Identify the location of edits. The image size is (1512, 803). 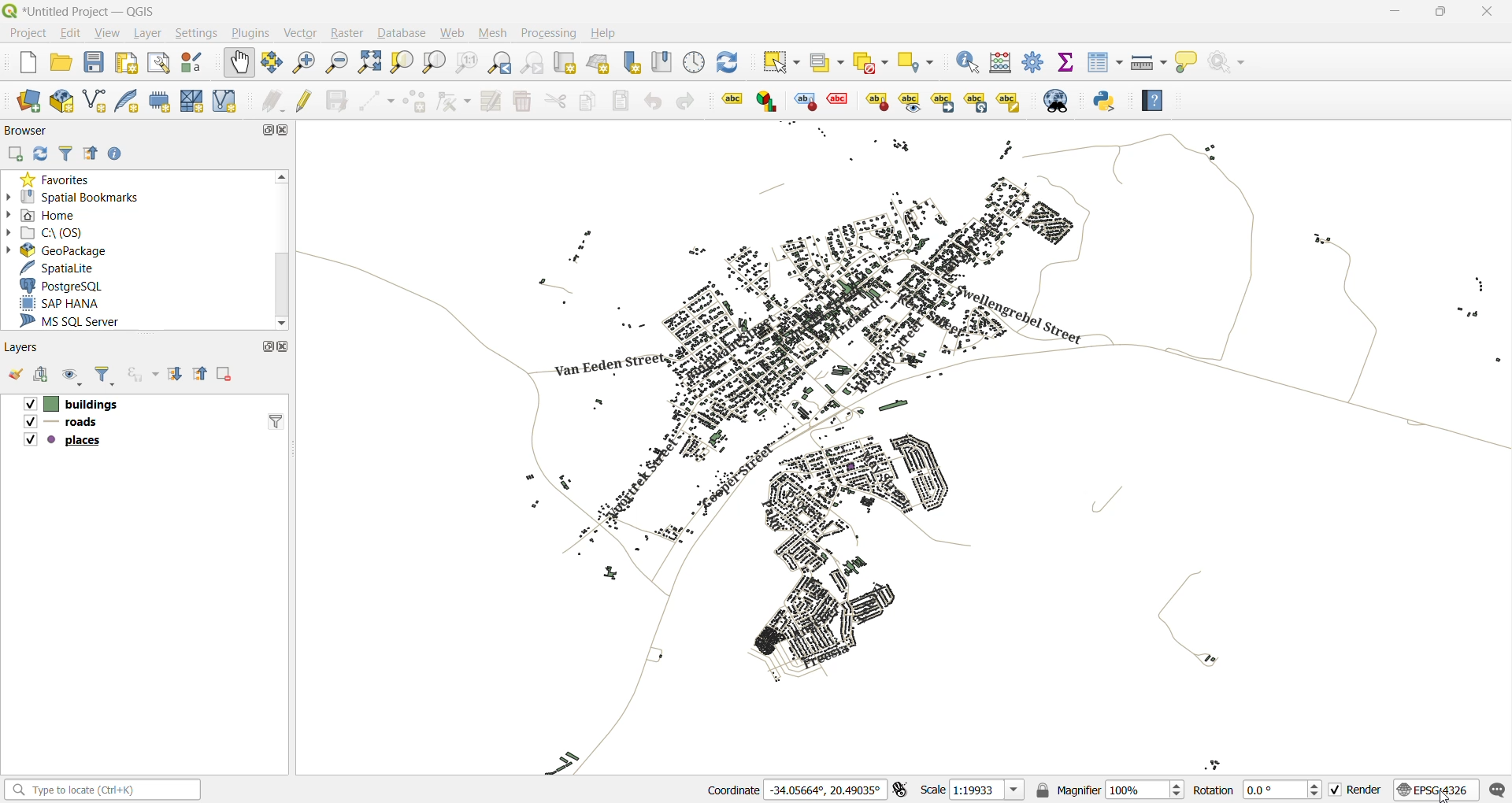
(274, 102).